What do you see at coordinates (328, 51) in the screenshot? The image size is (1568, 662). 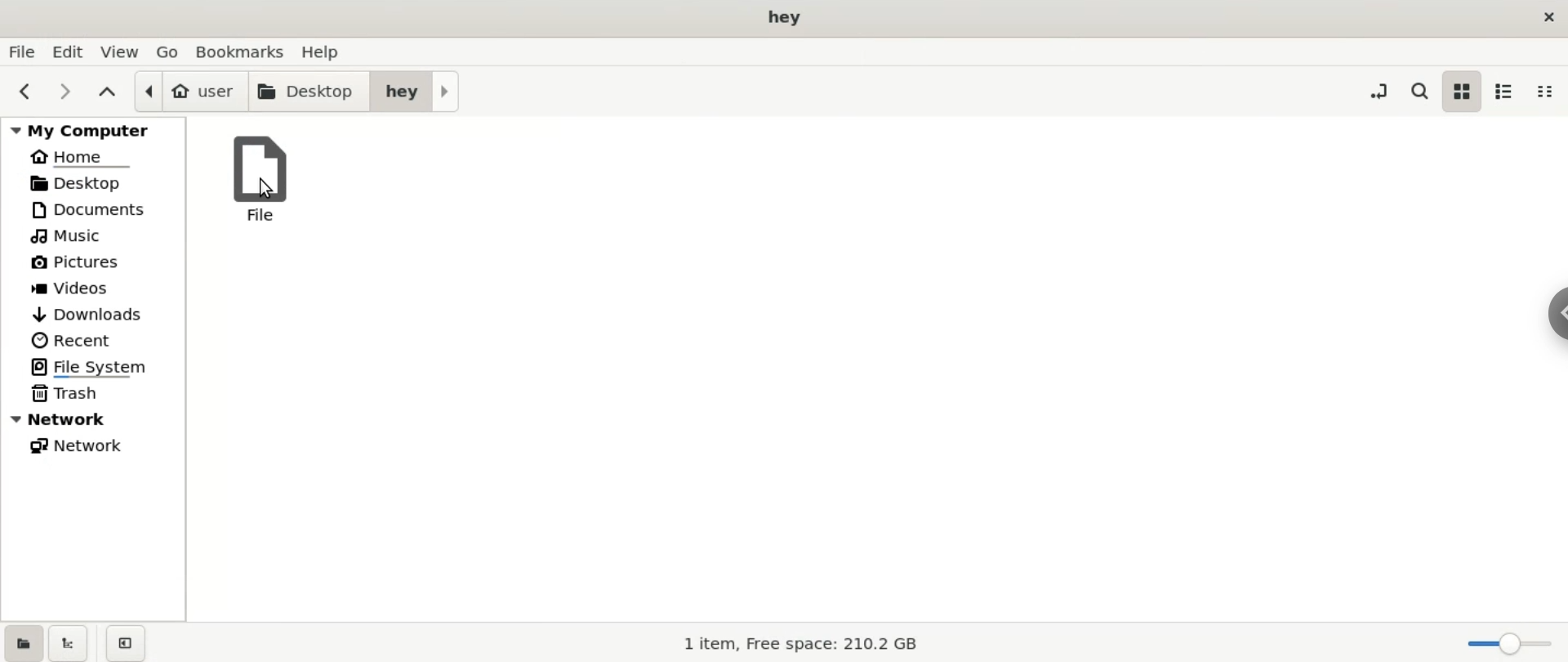 I see `help` at bounding box center [328, 51].